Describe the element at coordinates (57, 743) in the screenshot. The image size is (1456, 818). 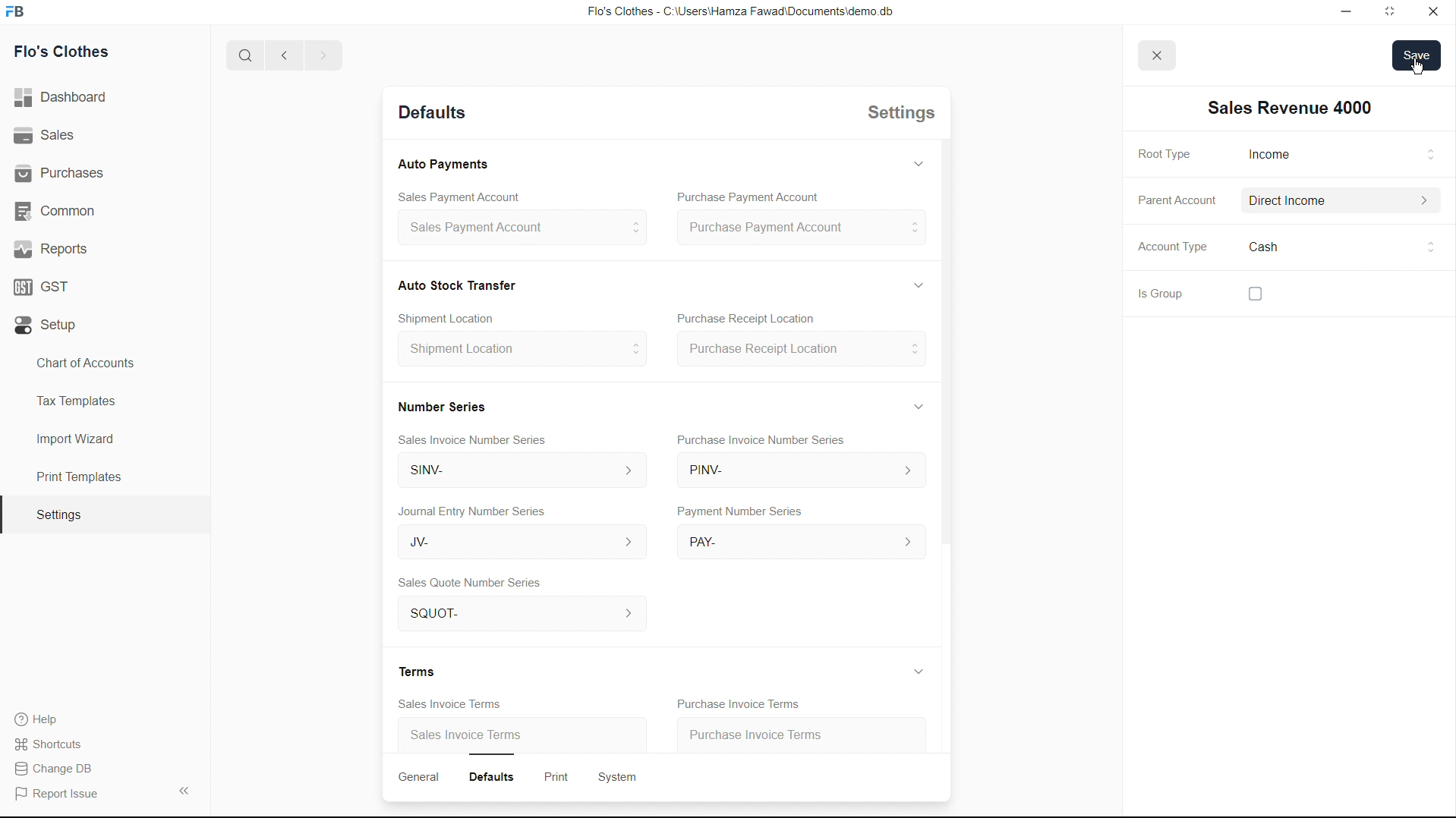
I see `Shortcuts` at that location.